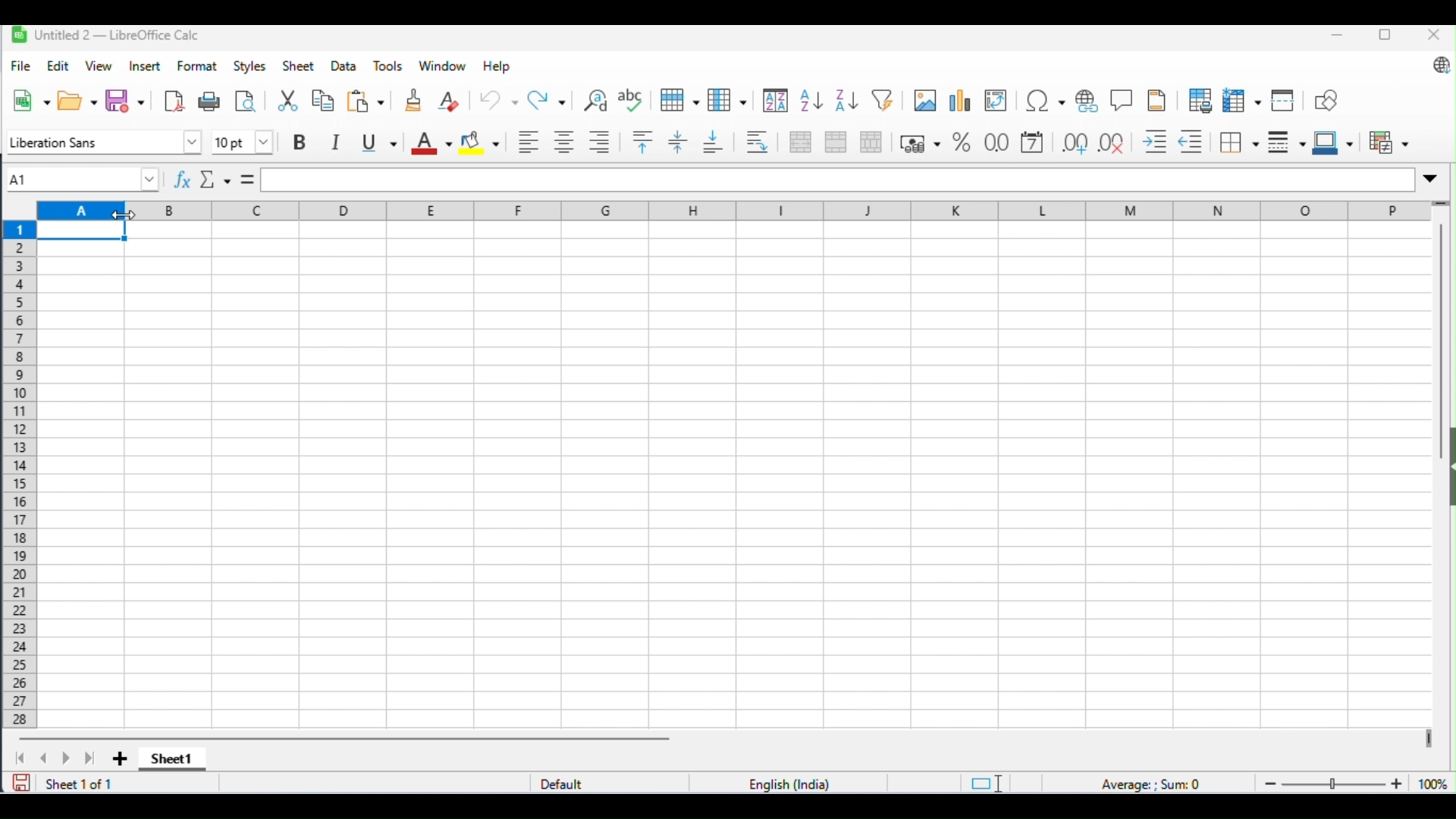 Image resolution: width=1456 pixels, height=819 pixels. What do you see at coordinates (431, 143) in the screenshot?
I see `font color` at bounding box center [431, 143].